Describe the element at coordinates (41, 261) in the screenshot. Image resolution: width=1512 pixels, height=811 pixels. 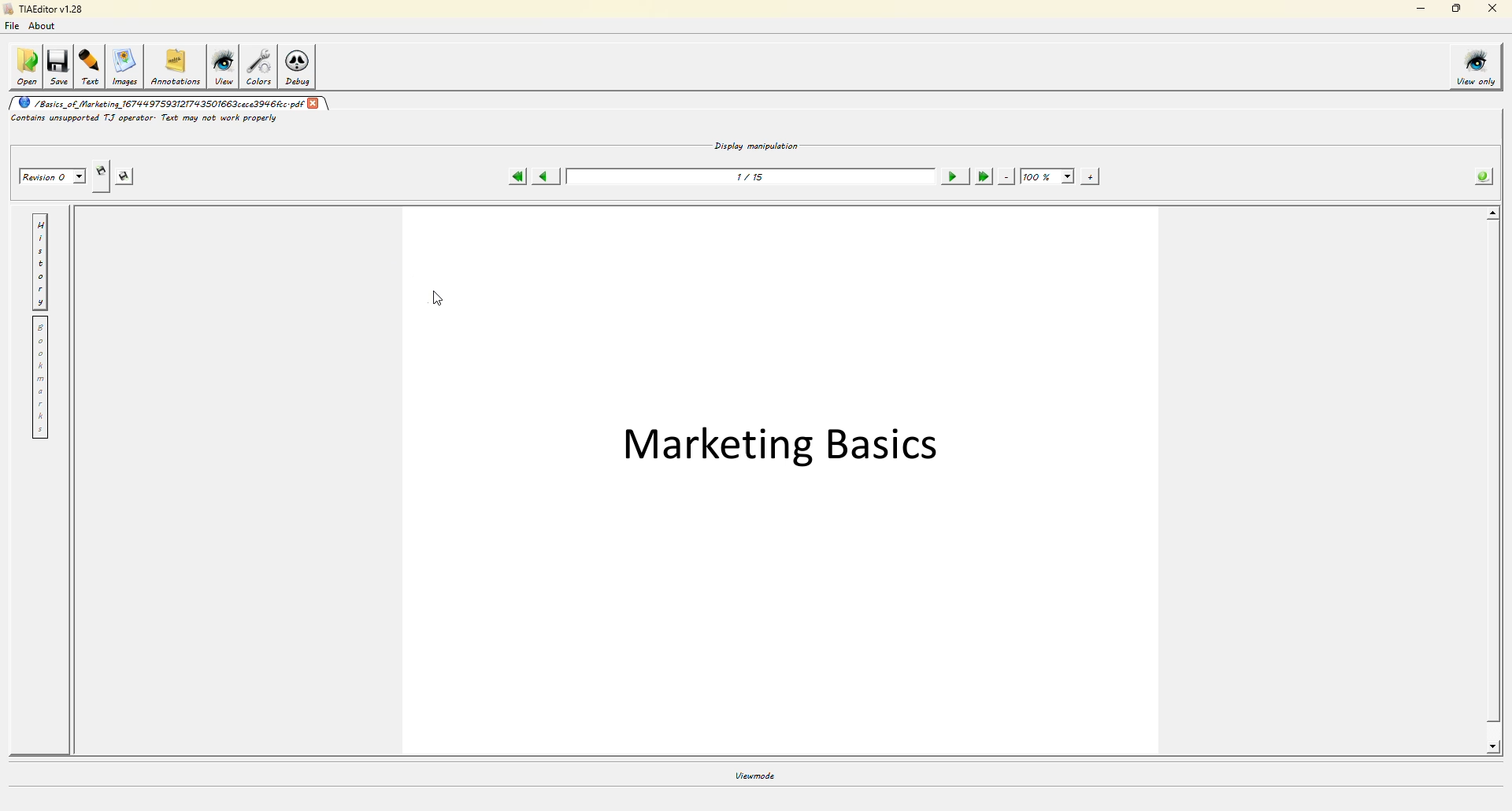
I see `history` at that location.